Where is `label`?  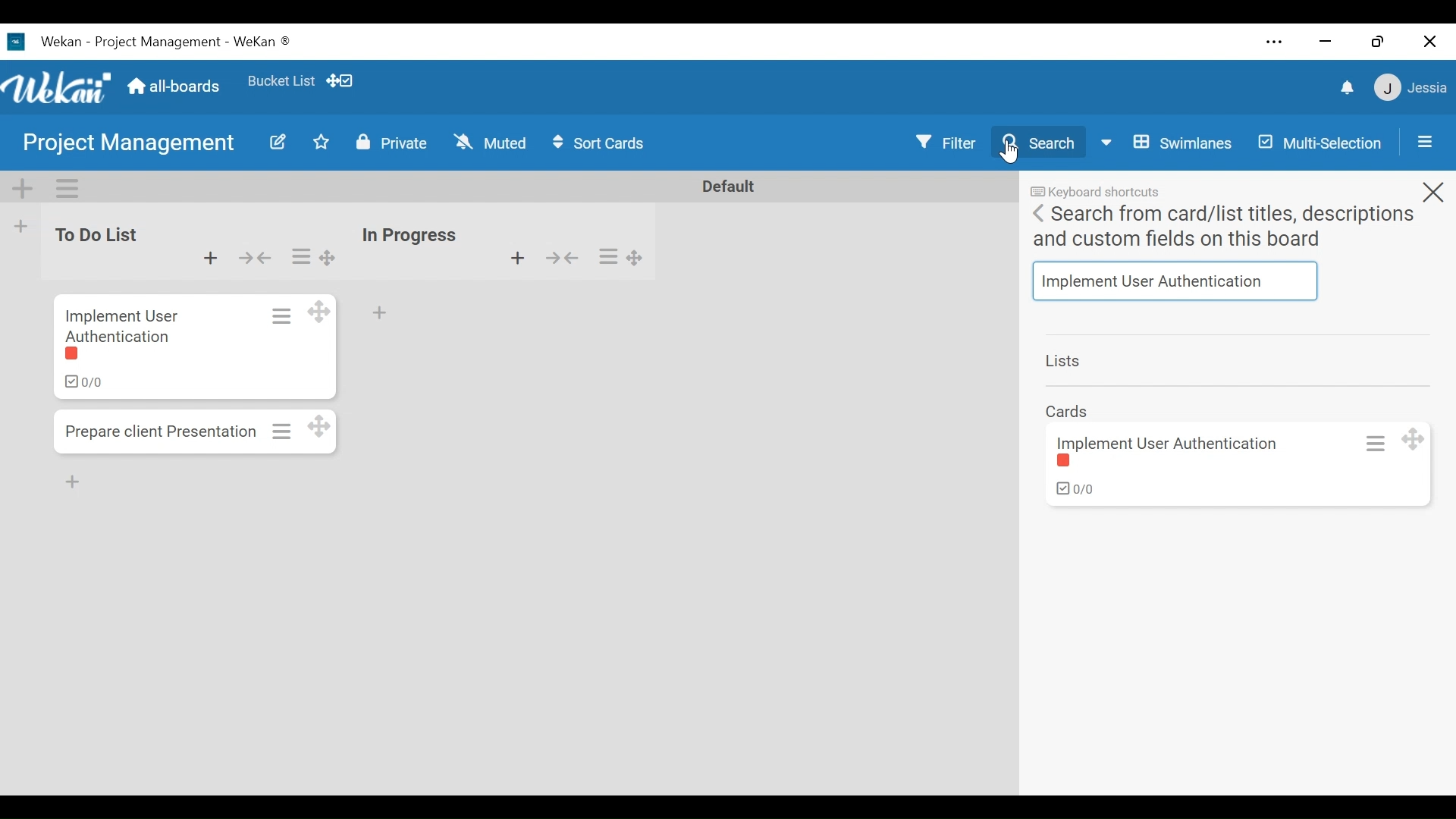 label is located at coordinates (1065, 462).